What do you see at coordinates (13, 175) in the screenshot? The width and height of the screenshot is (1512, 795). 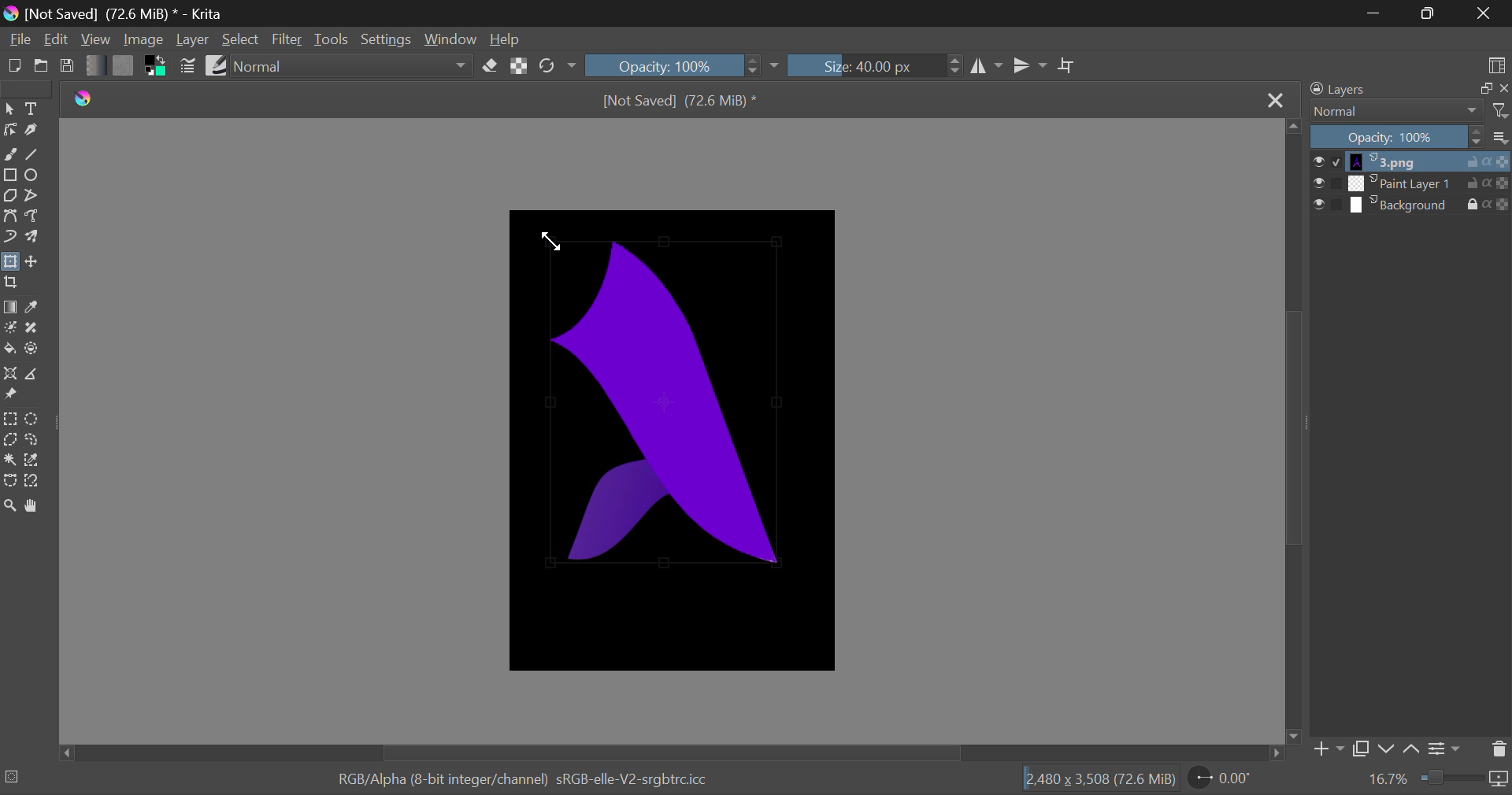 I see `Rectangle` at bounding box center [13, 175].